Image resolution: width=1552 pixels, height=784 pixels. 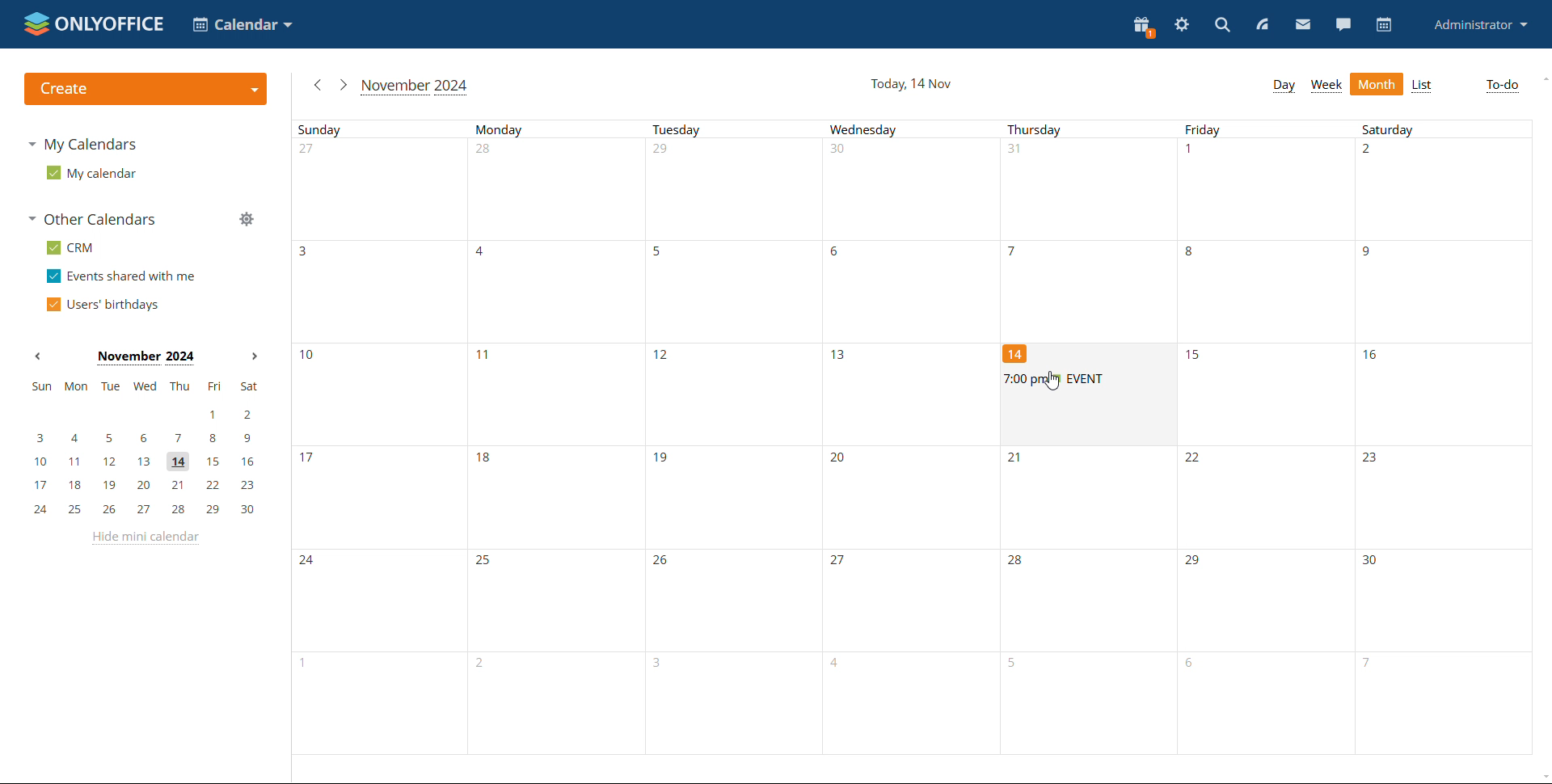 What do you see at coordinates (838, 251) in the screenshot?
I see `number` at bounding box center [838, 251].